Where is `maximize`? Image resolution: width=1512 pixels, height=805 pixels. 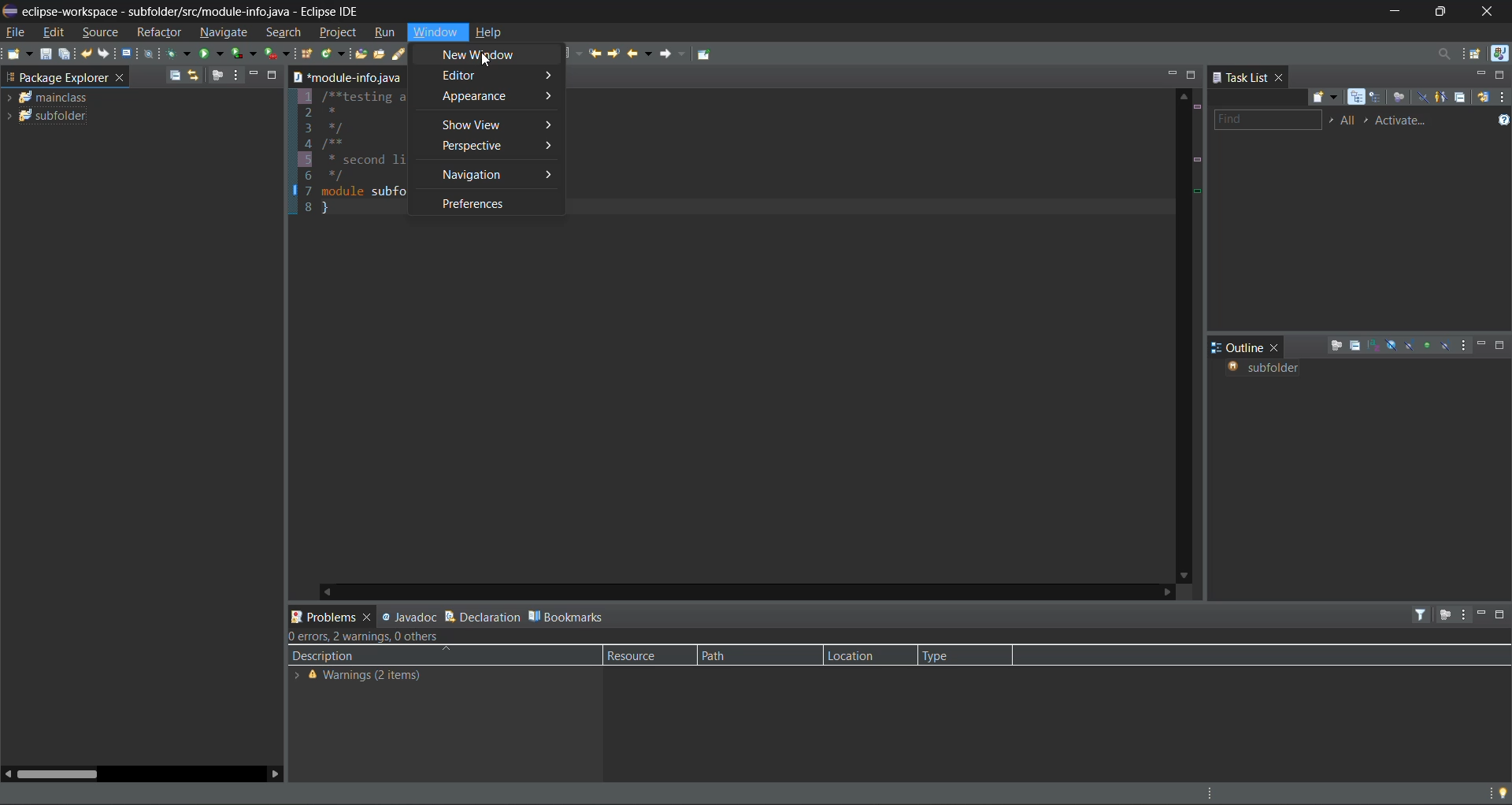 maximize is located at coordinates (1194, 76).